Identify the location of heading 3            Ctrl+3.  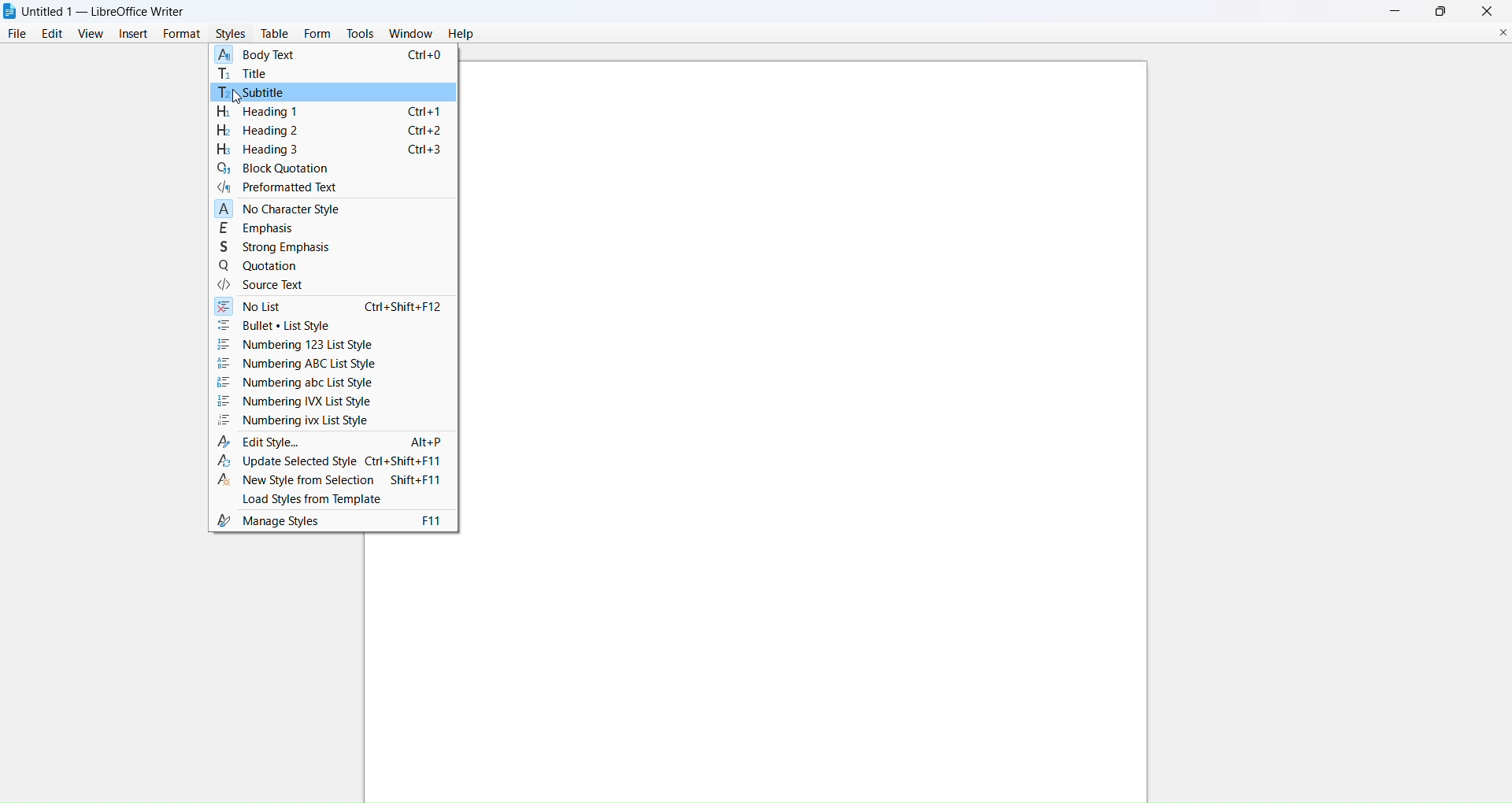
(327, 150).